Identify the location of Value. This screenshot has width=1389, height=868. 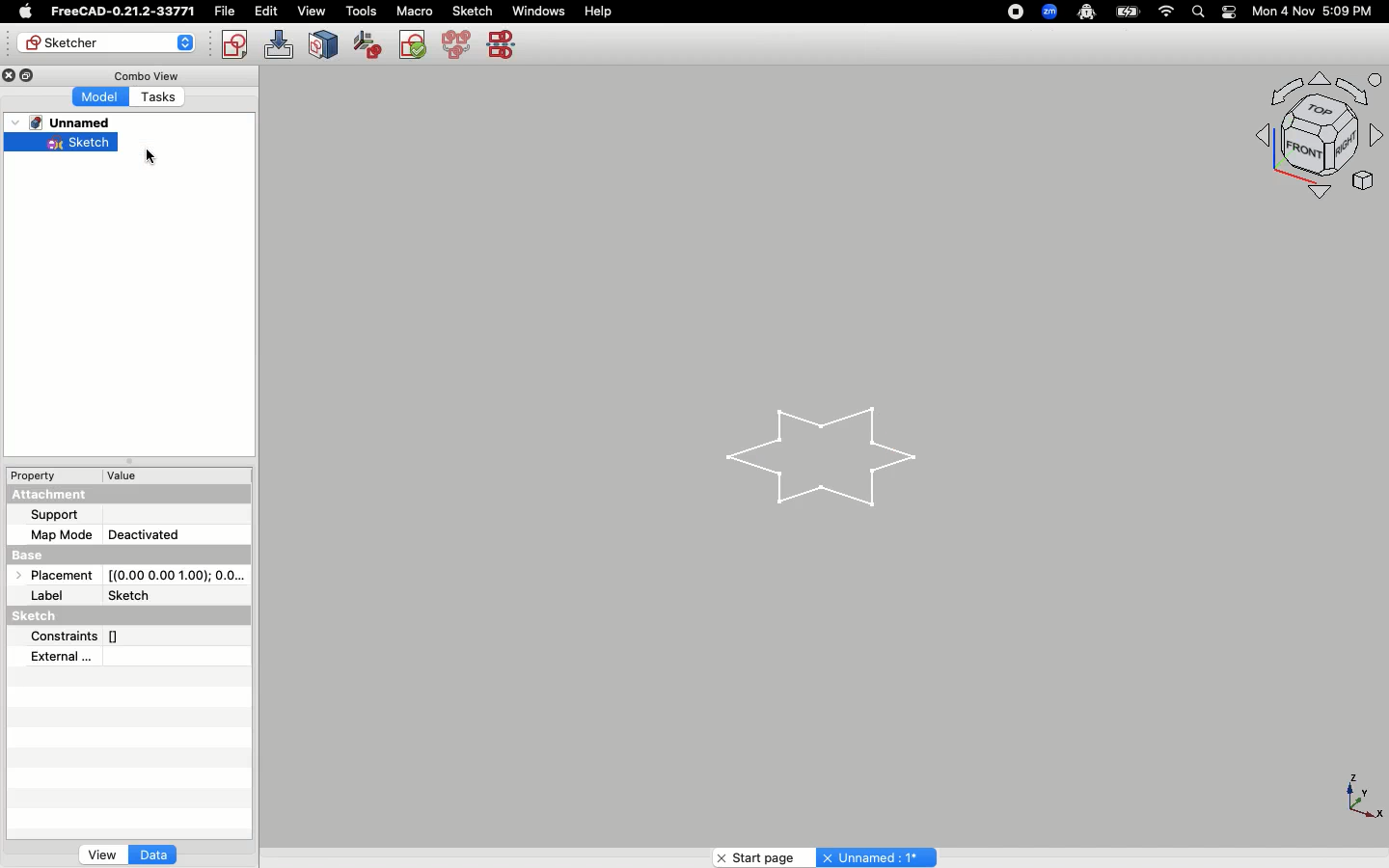
(177, 476).